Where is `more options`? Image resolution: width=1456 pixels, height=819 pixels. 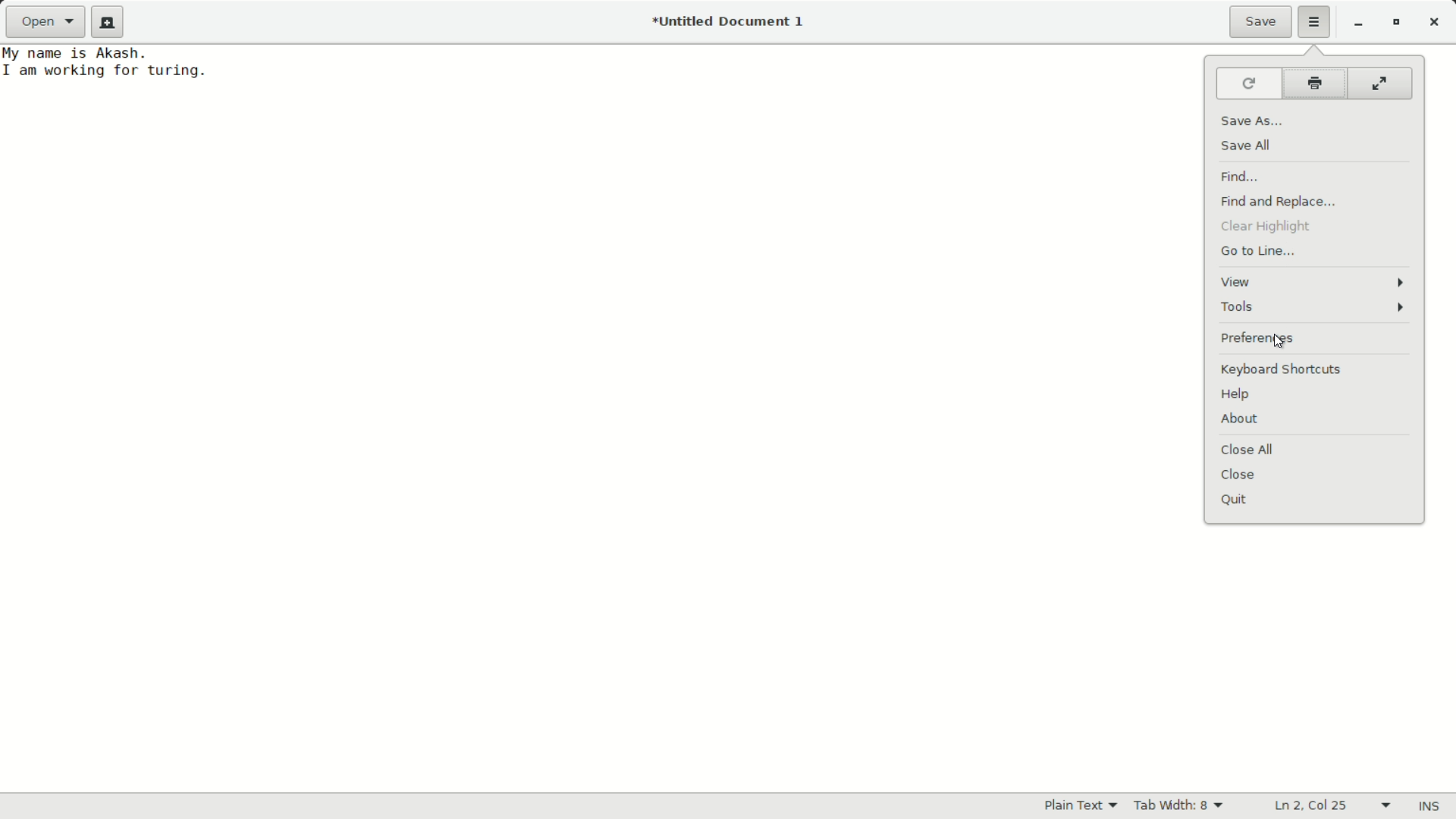
more options is located at coordinates (1314, 20).